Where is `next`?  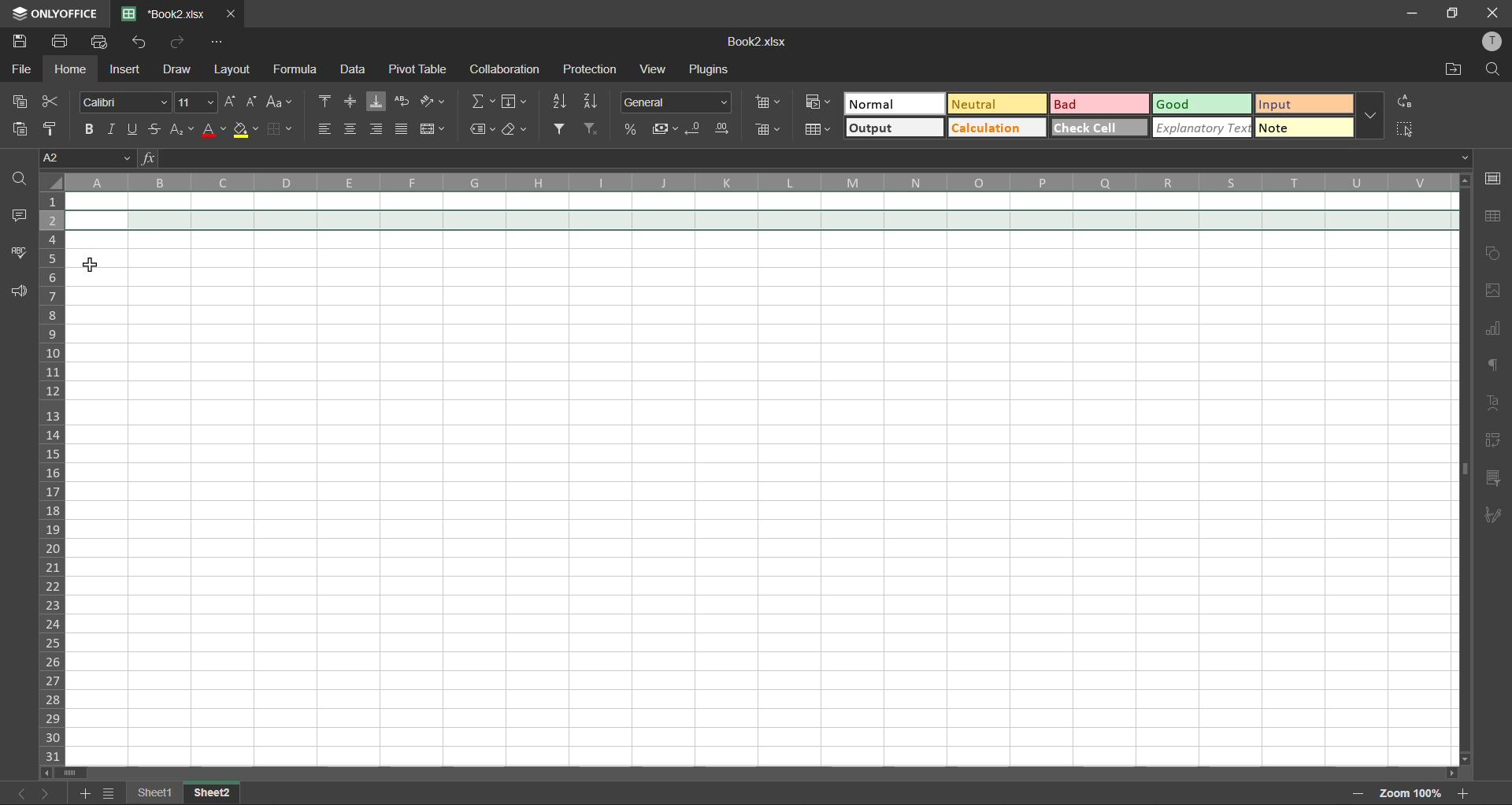 next is located at coordinates (46, 795).